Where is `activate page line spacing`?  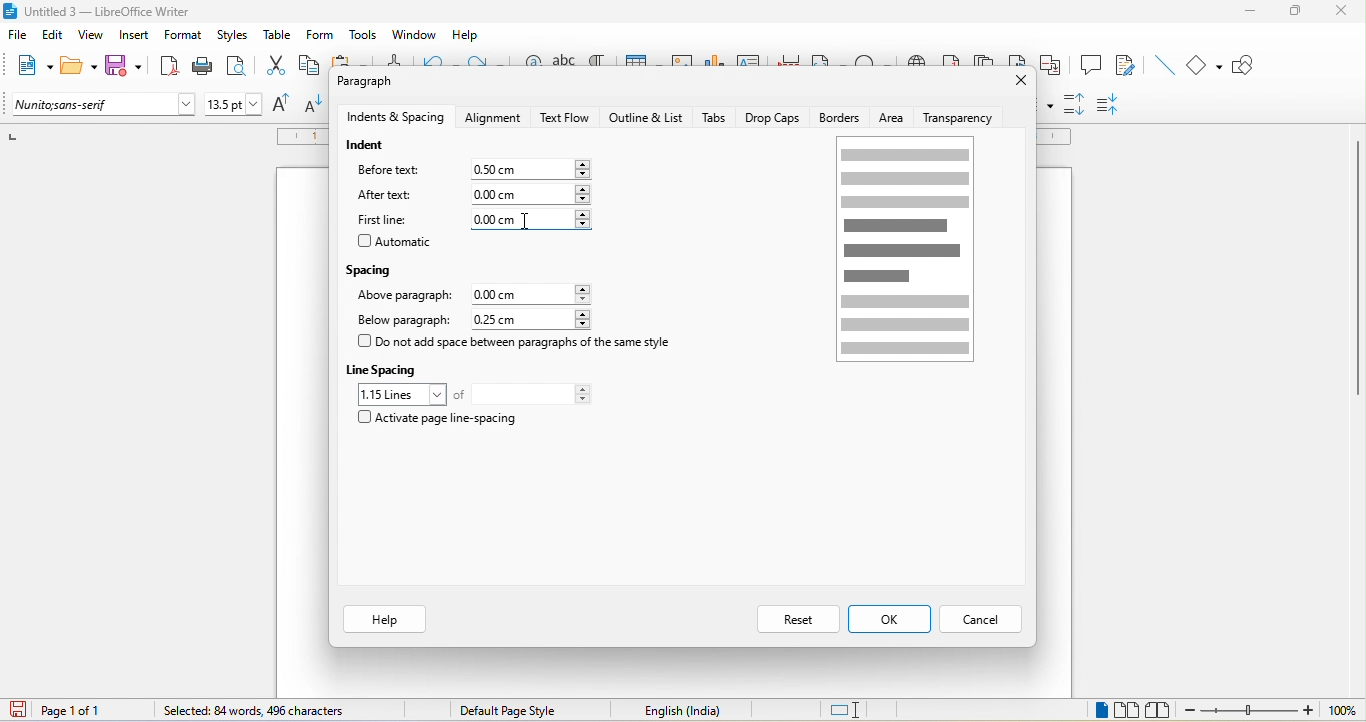 activate page line spacing is located at coordinates (450, 420).